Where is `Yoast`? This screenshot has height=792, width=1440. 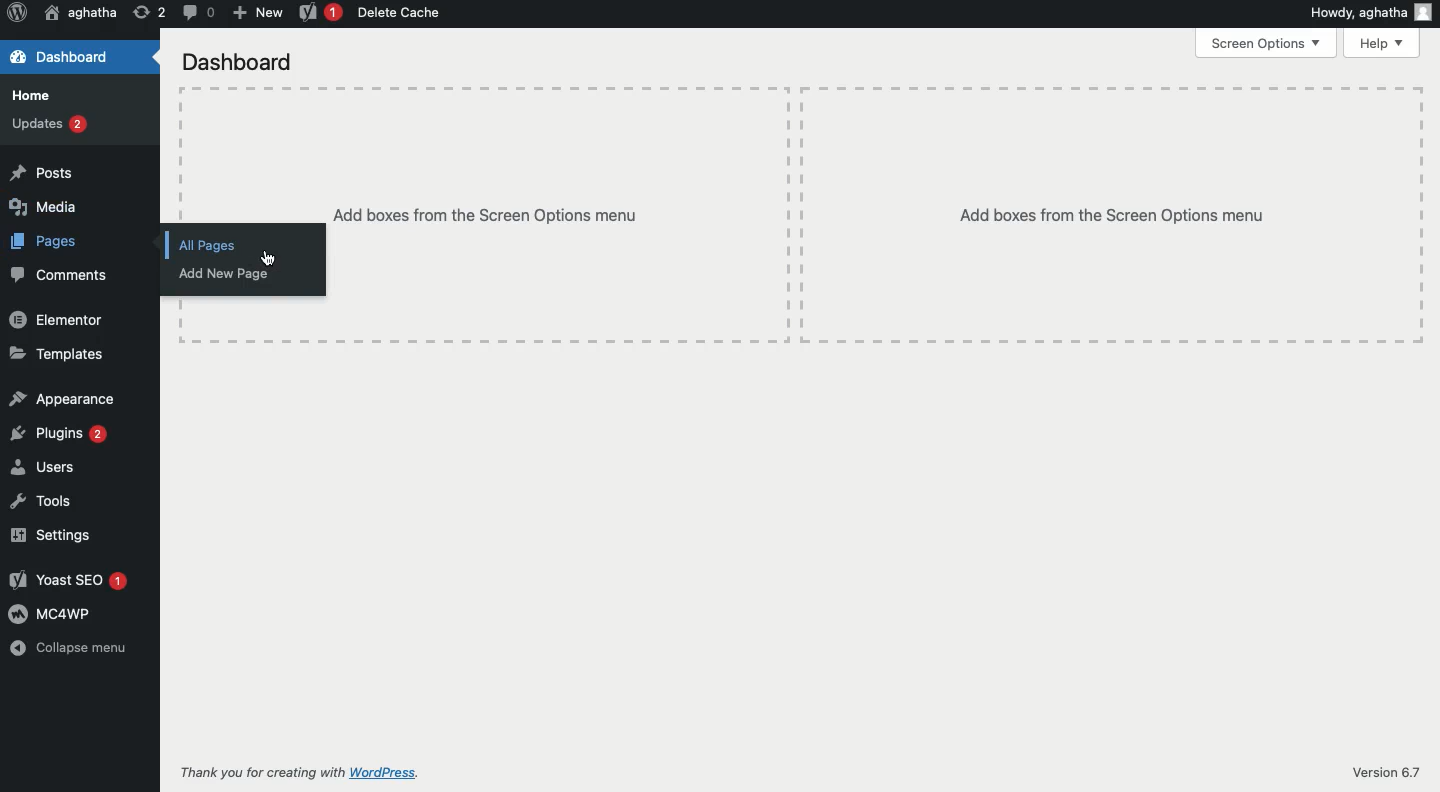 Yoast is located at coordinates (318, 13).